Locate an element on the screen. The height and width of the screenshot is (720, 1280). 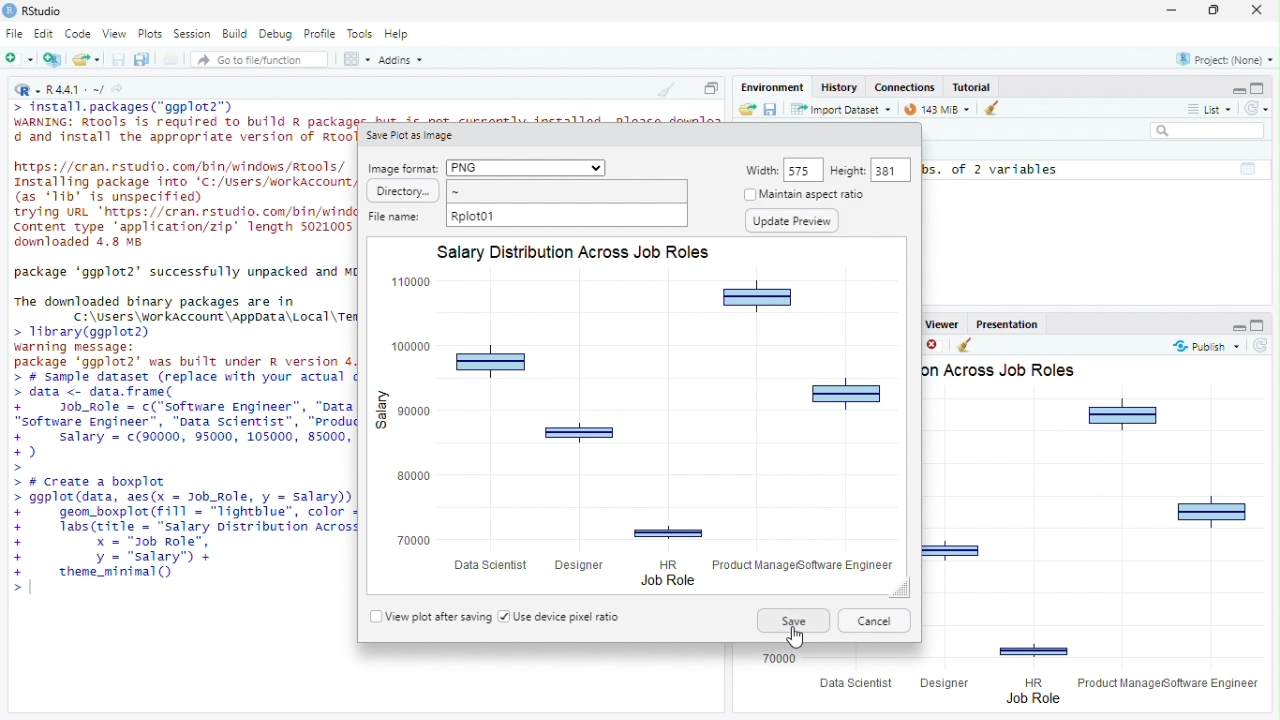
File name : Rplot01 is located at coordinates (525, 215).